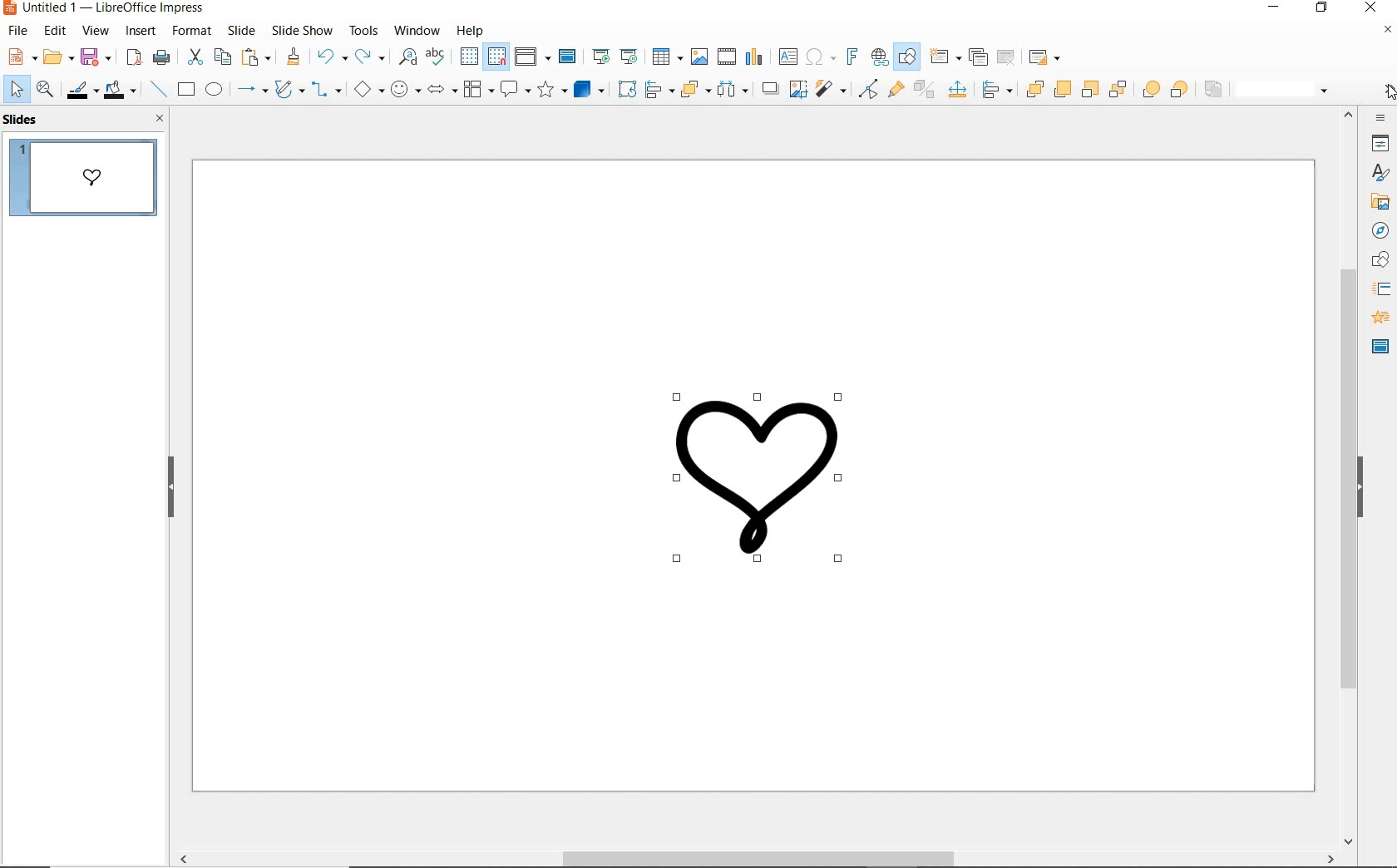 This screenshot has height=868, width=1397. What do you see at coordinates (1382, 118) in the screenshot?
I see `SIDEBAR SETTINGS` at bounding box center [1382, 118].